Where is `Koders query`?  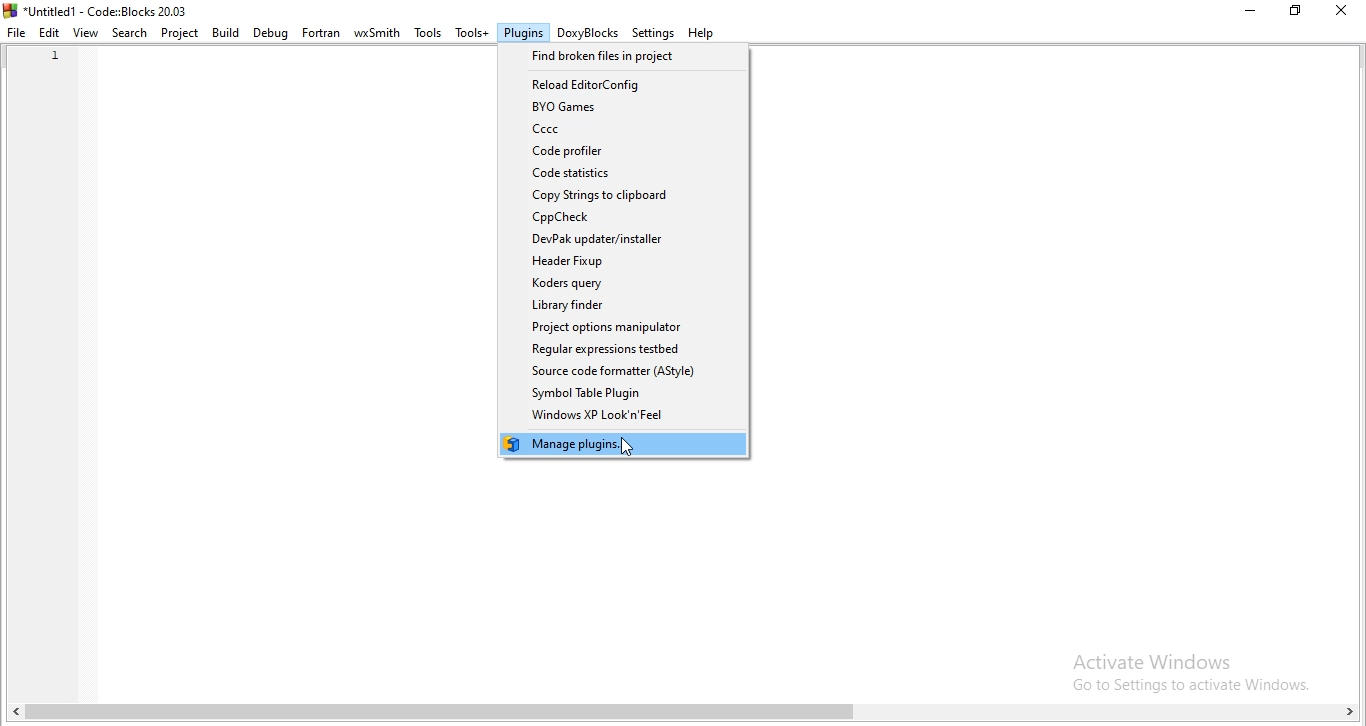
Koders query is located at coordinates (630, 285).